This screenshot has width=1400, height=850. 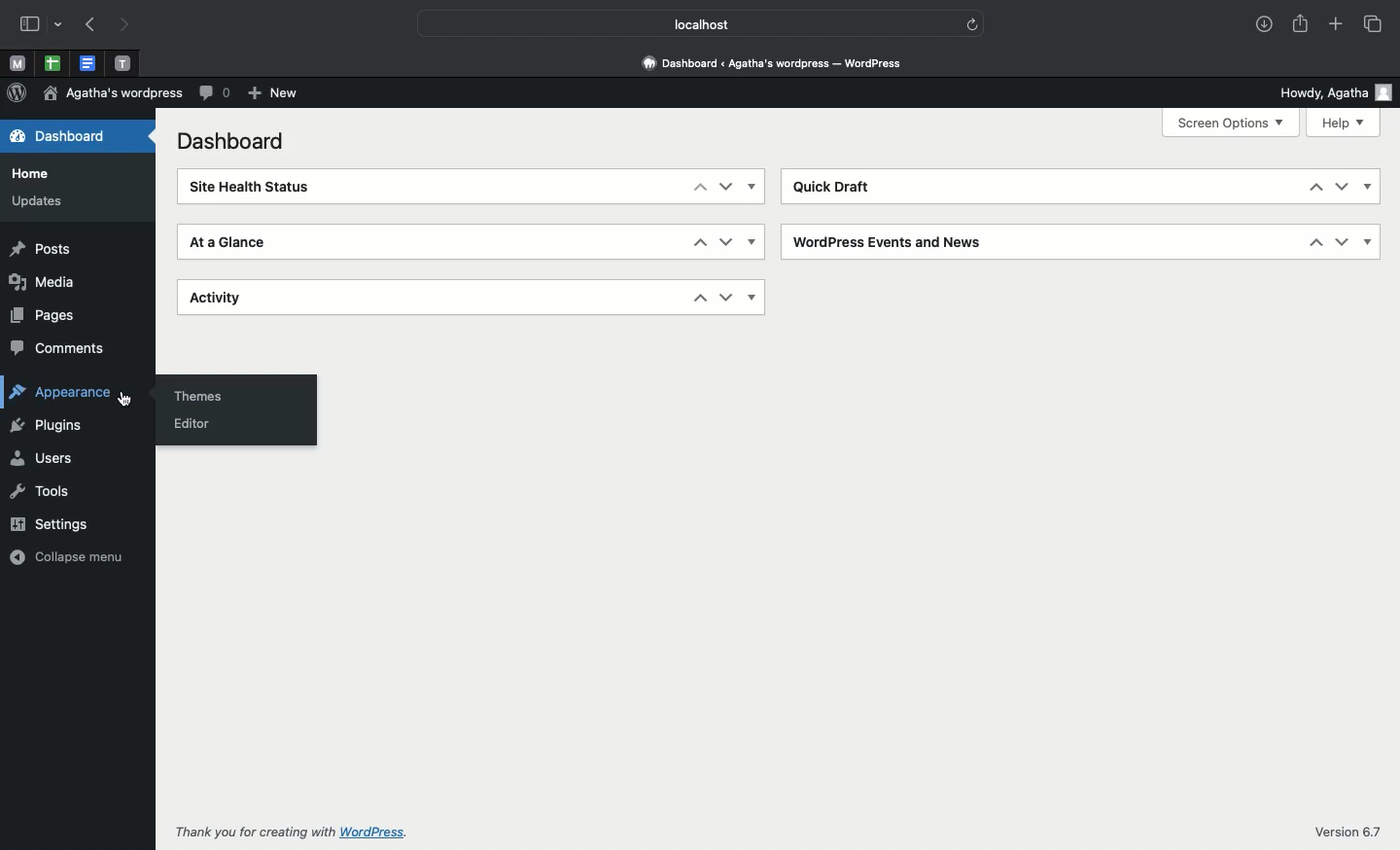 What do you see at coordinates (47, 426) in the screenshot?
I see `Plugins` at bounding box center [47, 426].